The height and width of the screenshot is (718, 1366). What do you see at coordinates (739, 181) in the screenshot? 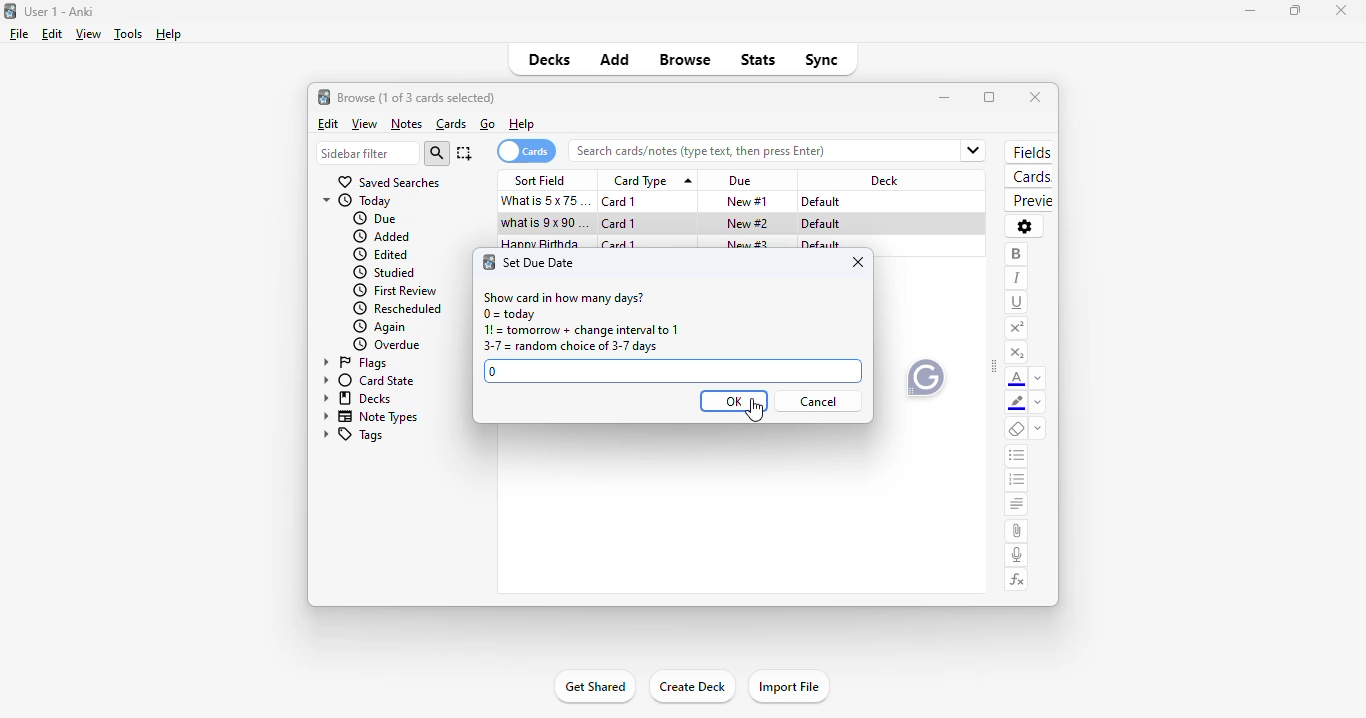
I see `due` at bounding box center [739, 181].